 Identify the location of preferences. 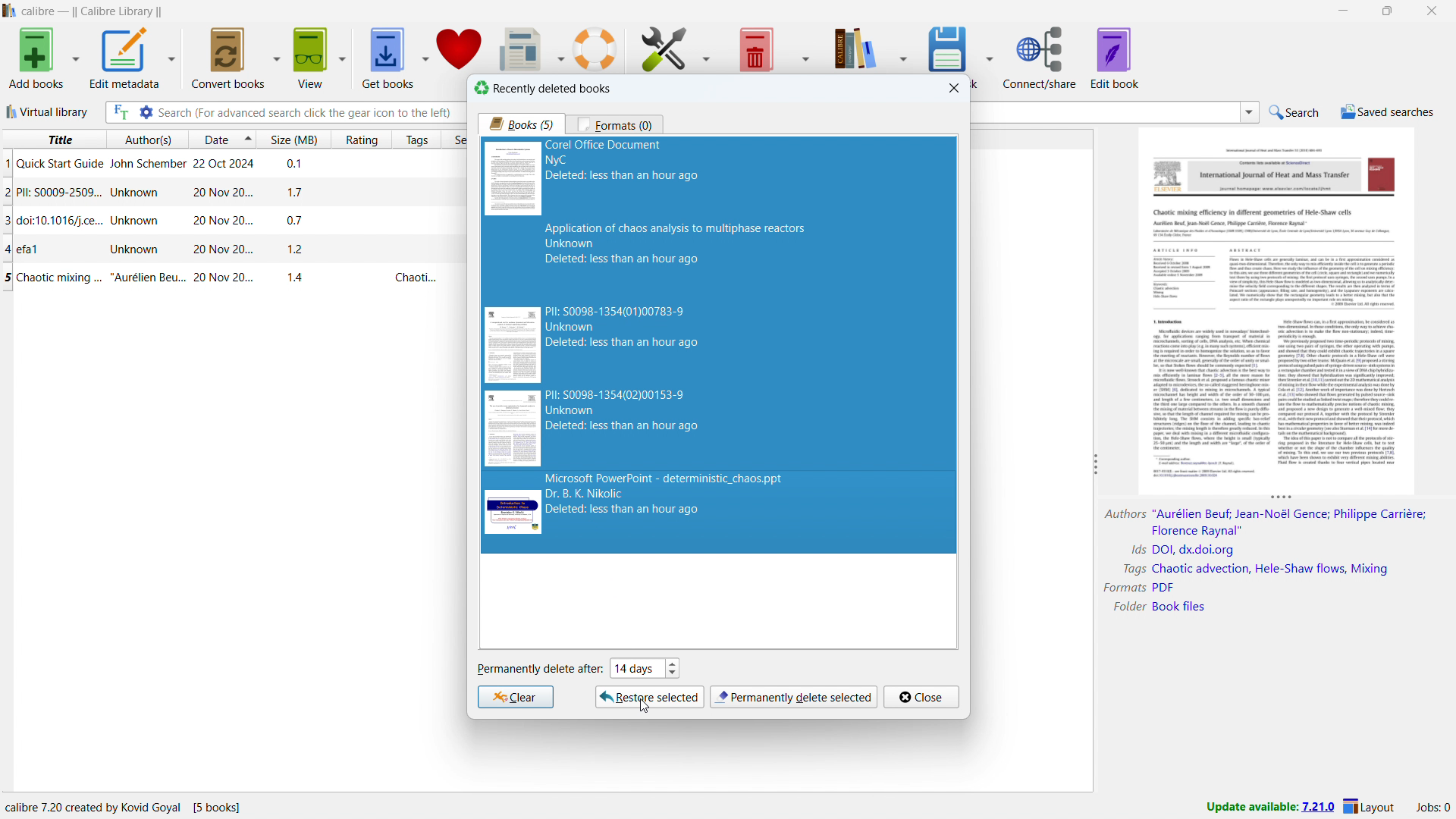
(665, 48).